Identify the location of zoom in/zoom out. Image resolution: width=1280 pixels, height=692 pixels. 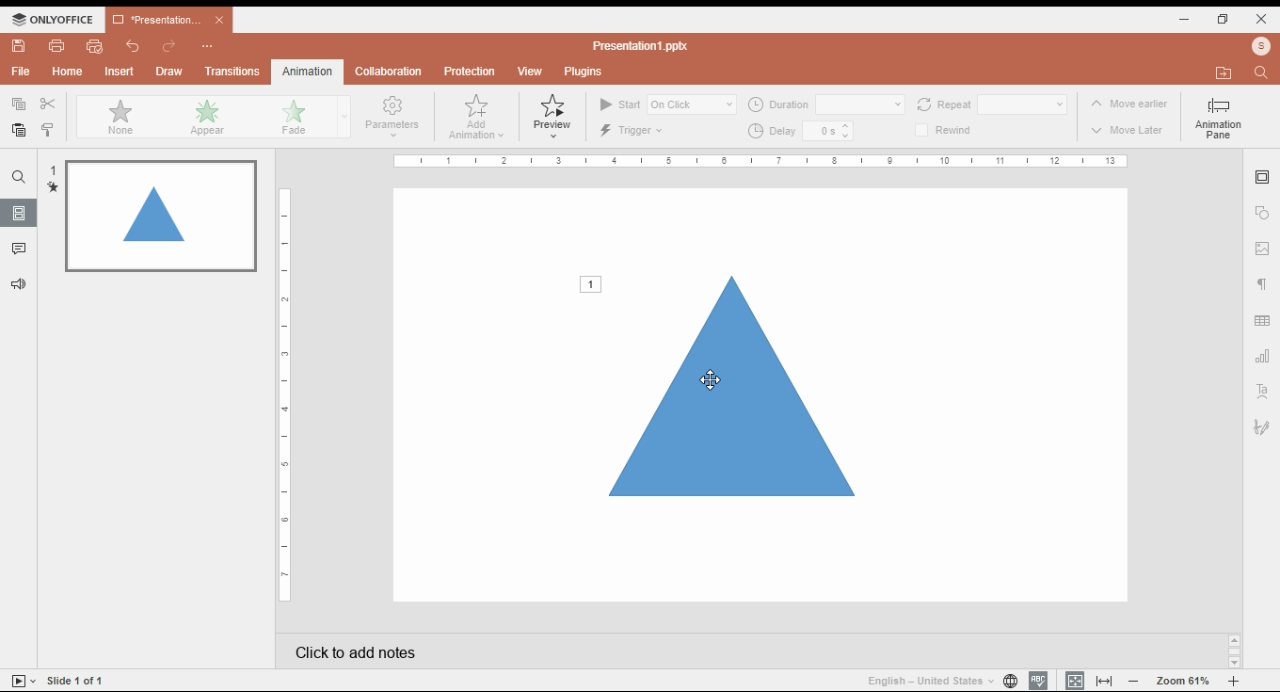
(1186, 680).